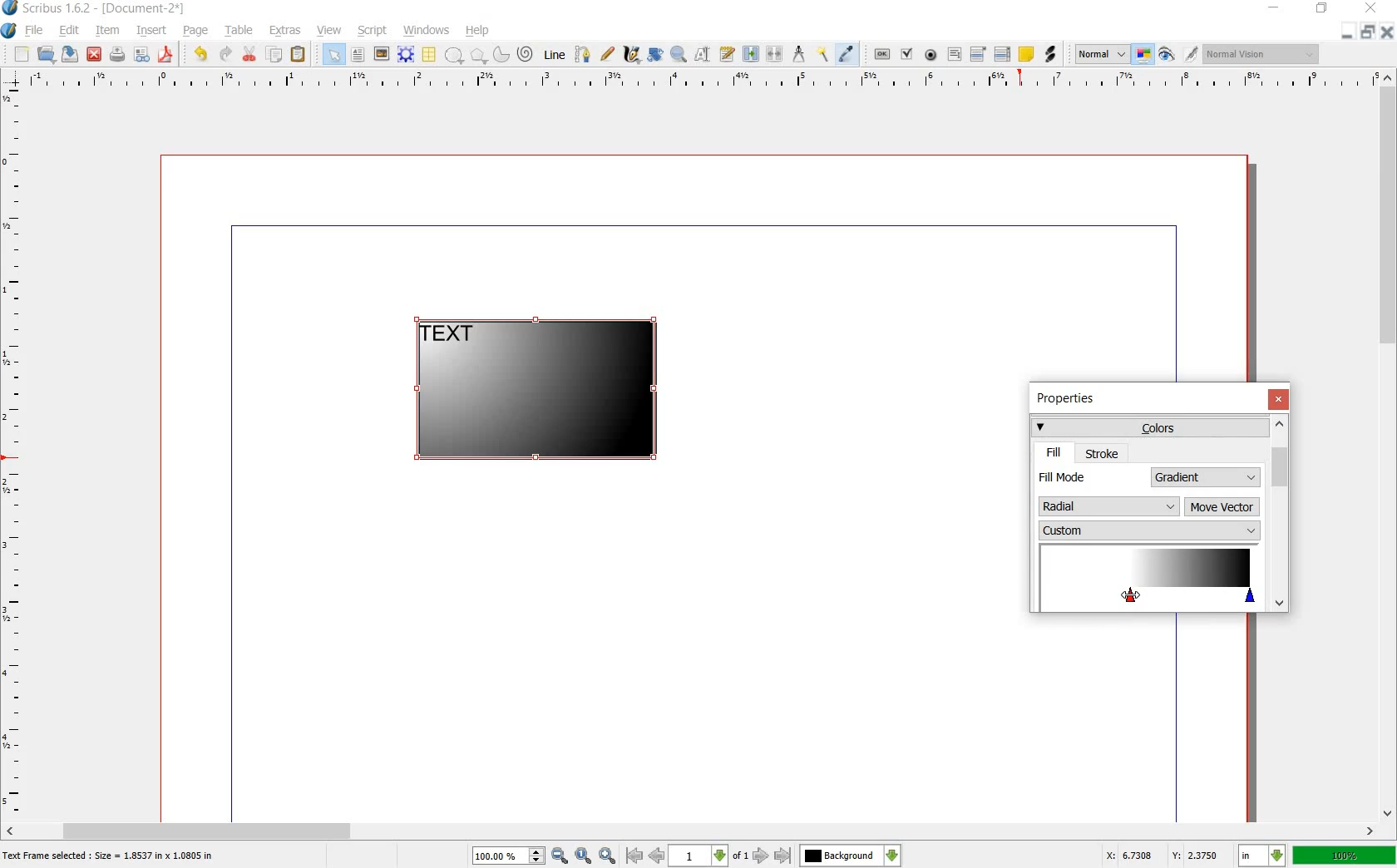  Describe the element at coordinates (750, 55) in the screenshot. I see `link text frame` at that location.